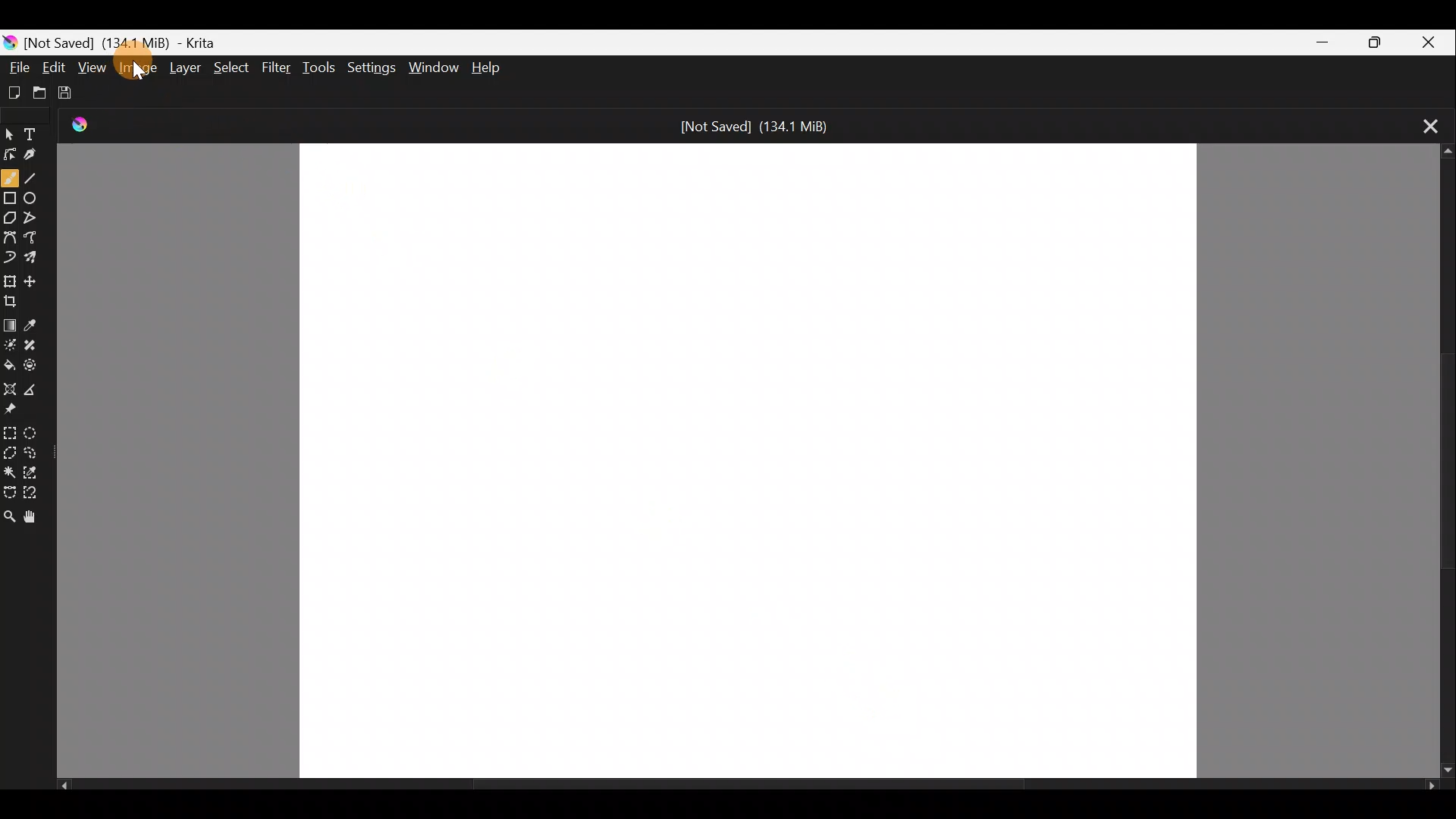 This screenshot has height=819, width=1456. What do you see at coordinates (17, 301) in the screenshot?
I see `Crop the image to an area` at bounding box center [17, 301].